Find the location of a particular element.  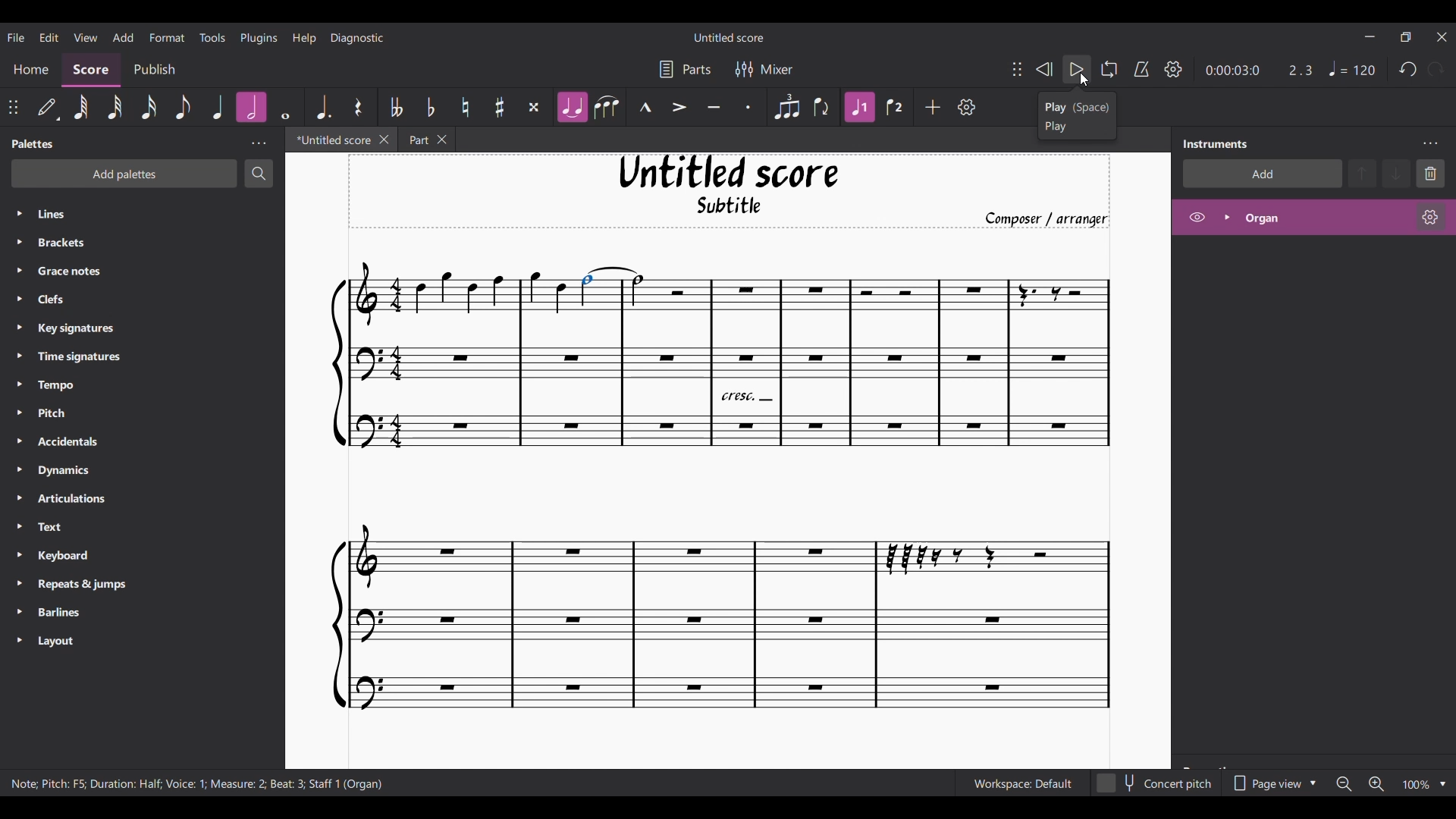

Format menu is located at coordinates (168, 36).